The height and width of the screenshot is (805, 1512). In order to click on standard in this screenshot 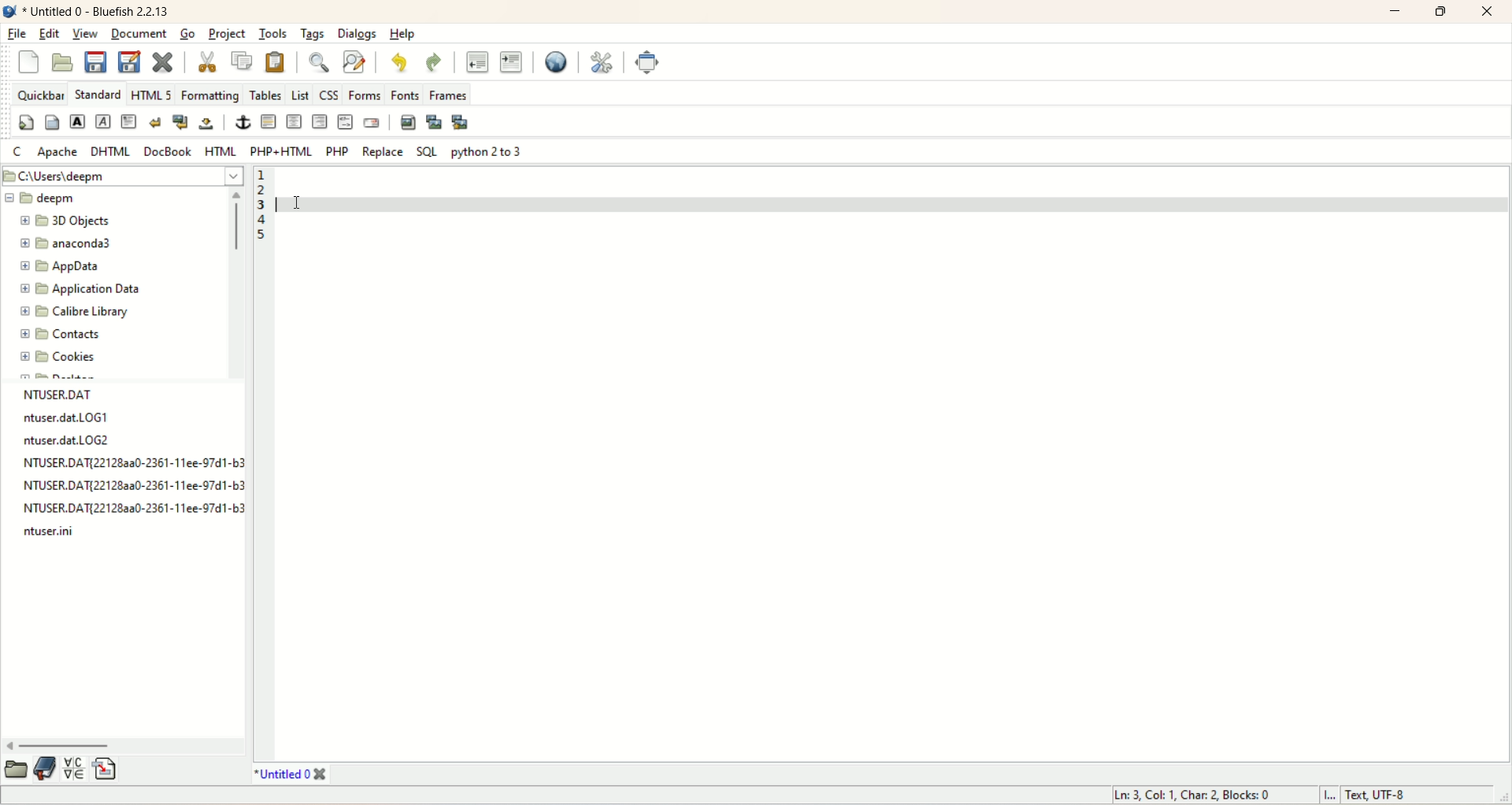, I will do `click(98, 95)`.